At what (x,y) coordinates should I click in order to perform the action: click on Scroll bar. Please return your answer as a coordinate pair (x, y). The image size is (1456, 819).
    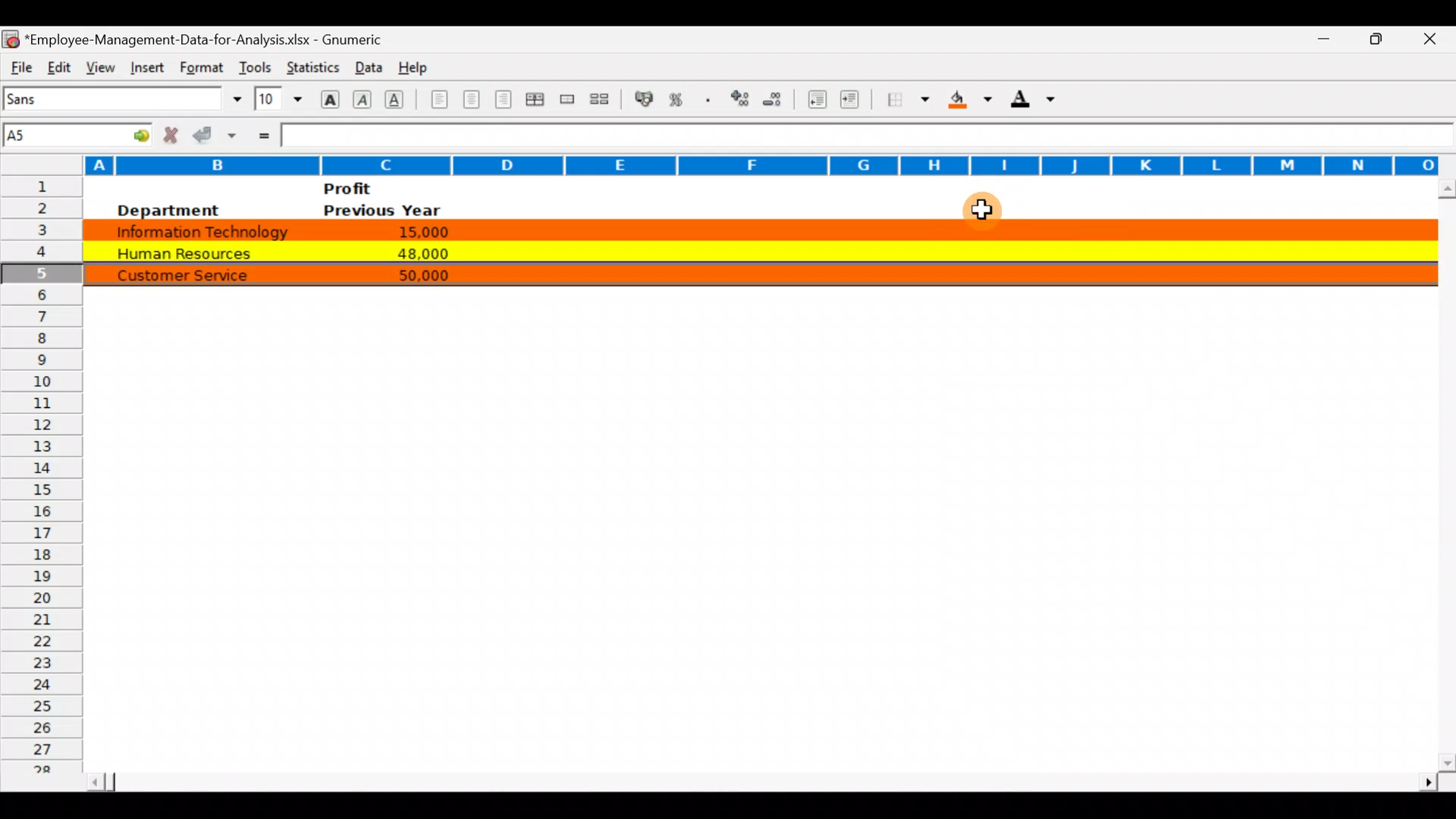
    Looking at the image, I should click on (759, 777).